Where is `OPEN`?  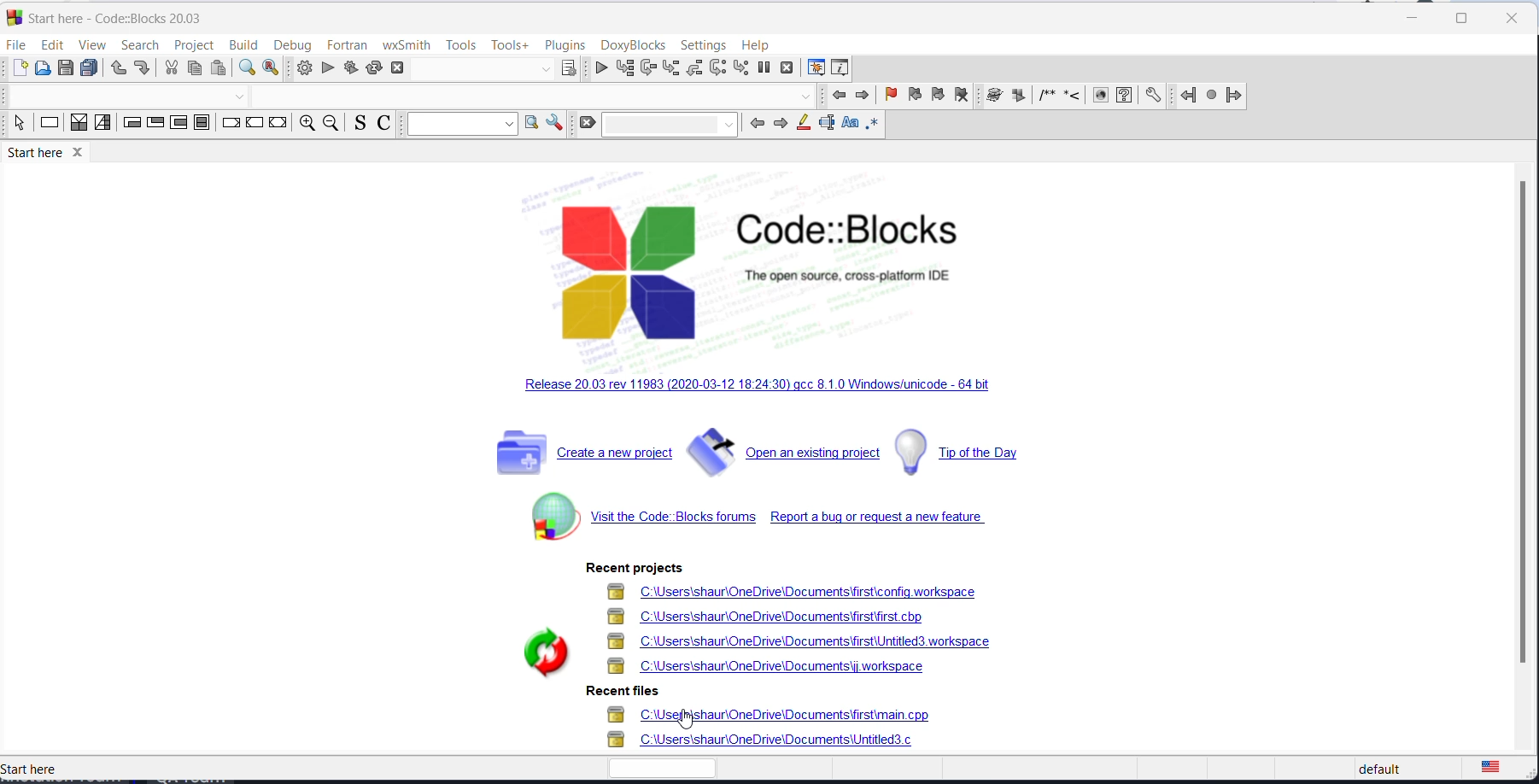 OPEN is located at coordinates (41, 67).